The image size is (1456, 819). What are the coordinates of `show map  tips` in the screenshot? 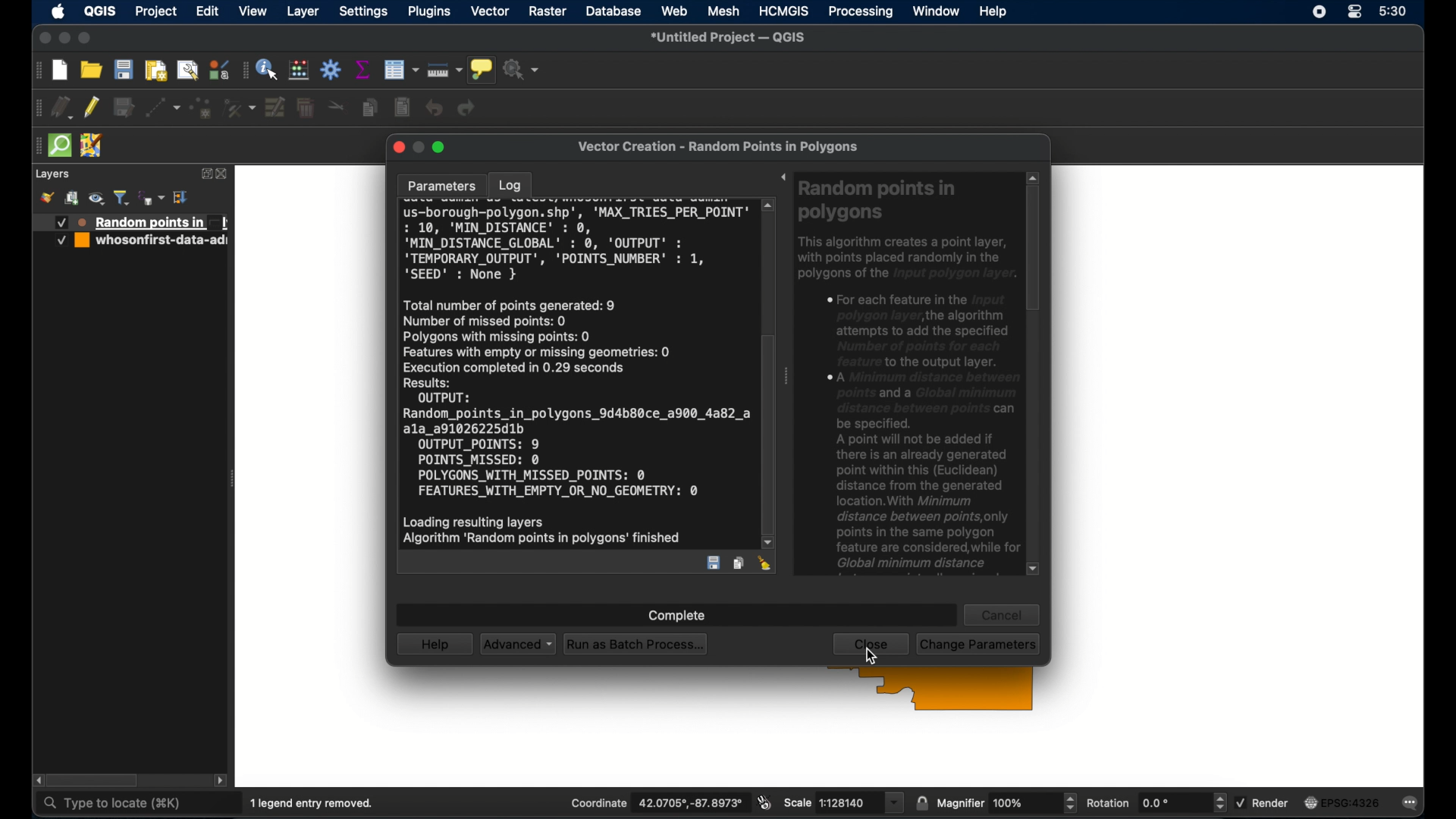 It's located at (482, 70).